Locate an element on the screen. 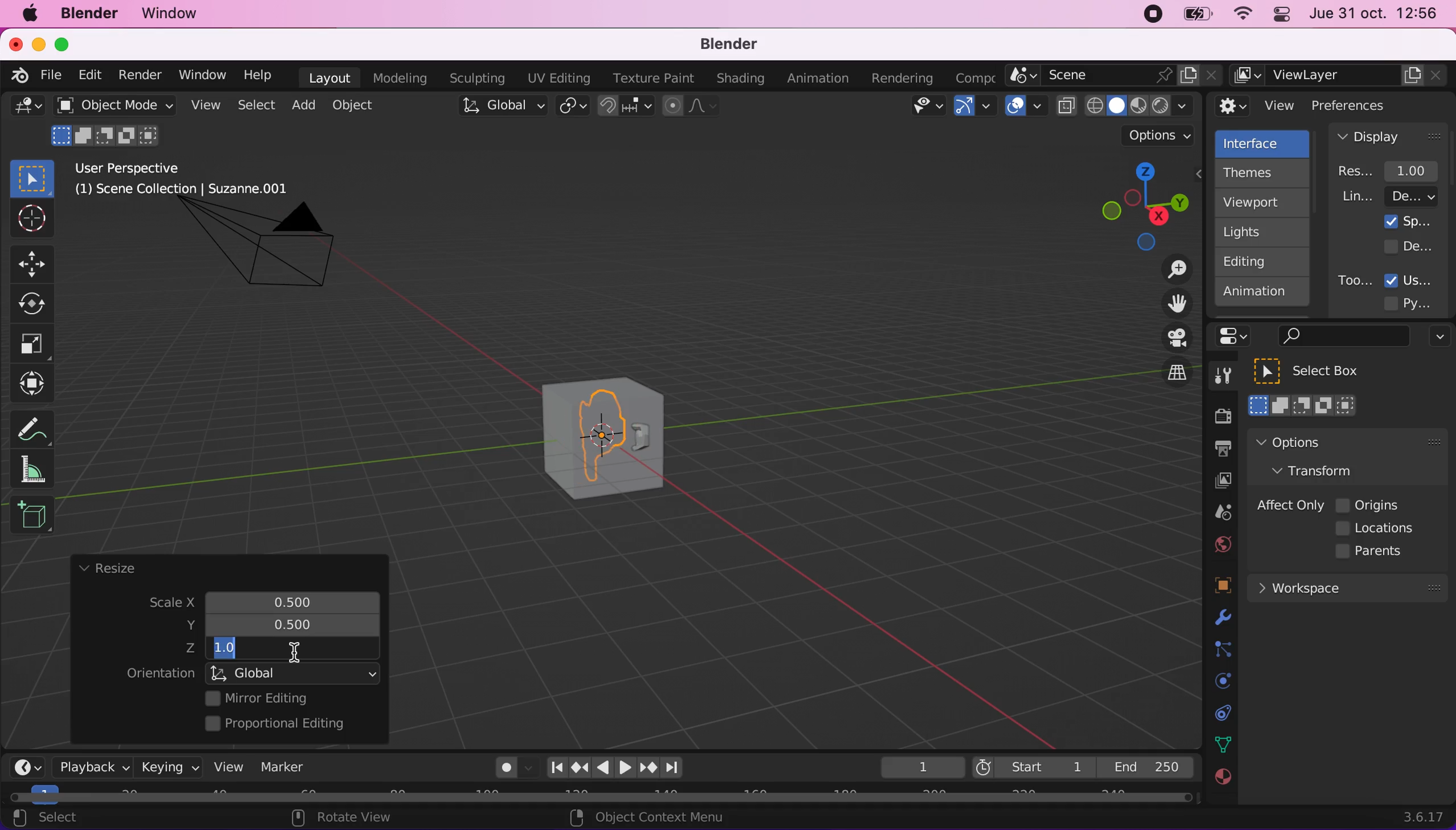 This screenshot has height=830, width=1456. objects is located at coordinates (1209, 587).